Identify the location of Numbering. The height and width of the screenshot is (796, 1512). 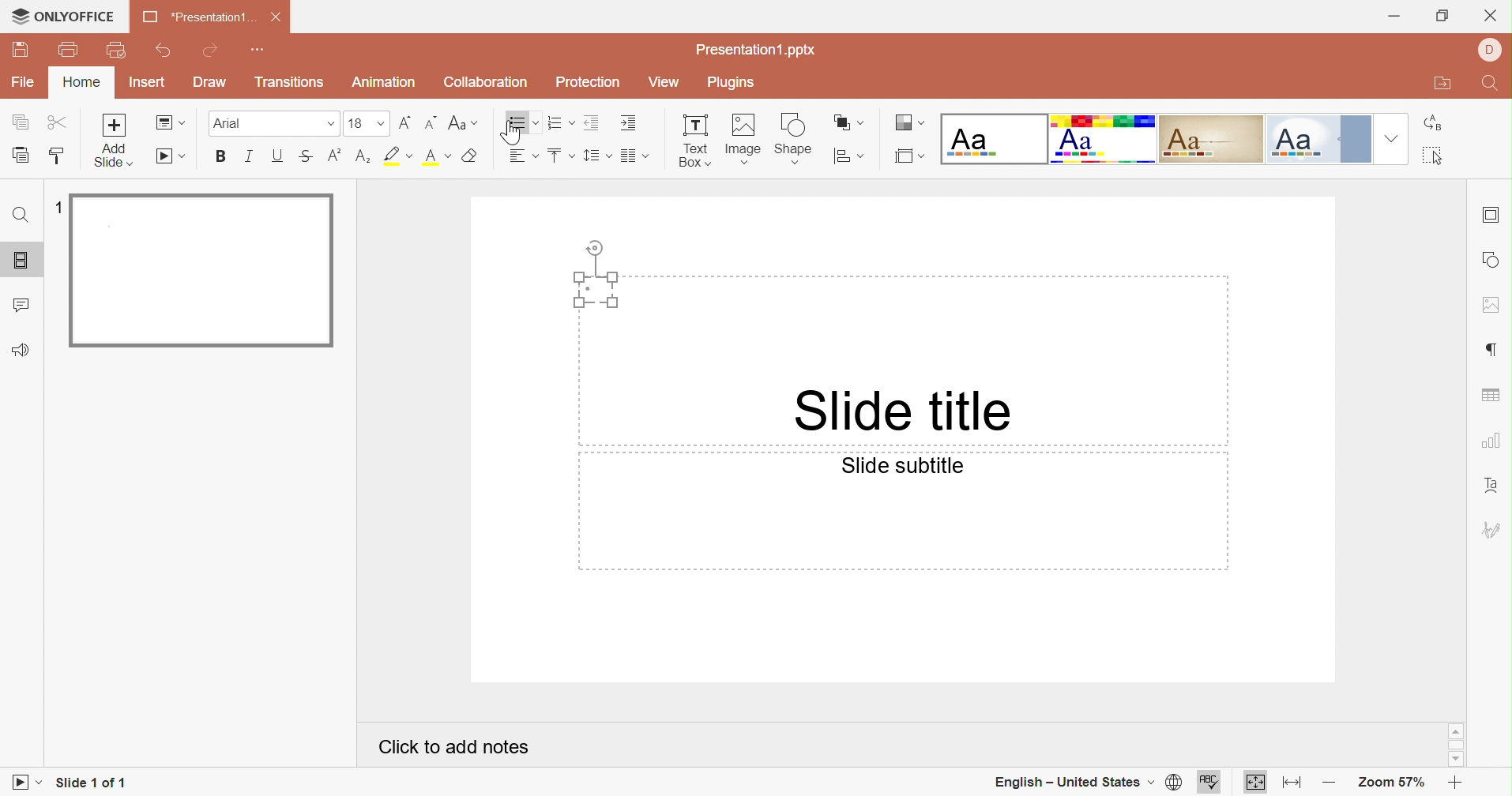
(553, 123).